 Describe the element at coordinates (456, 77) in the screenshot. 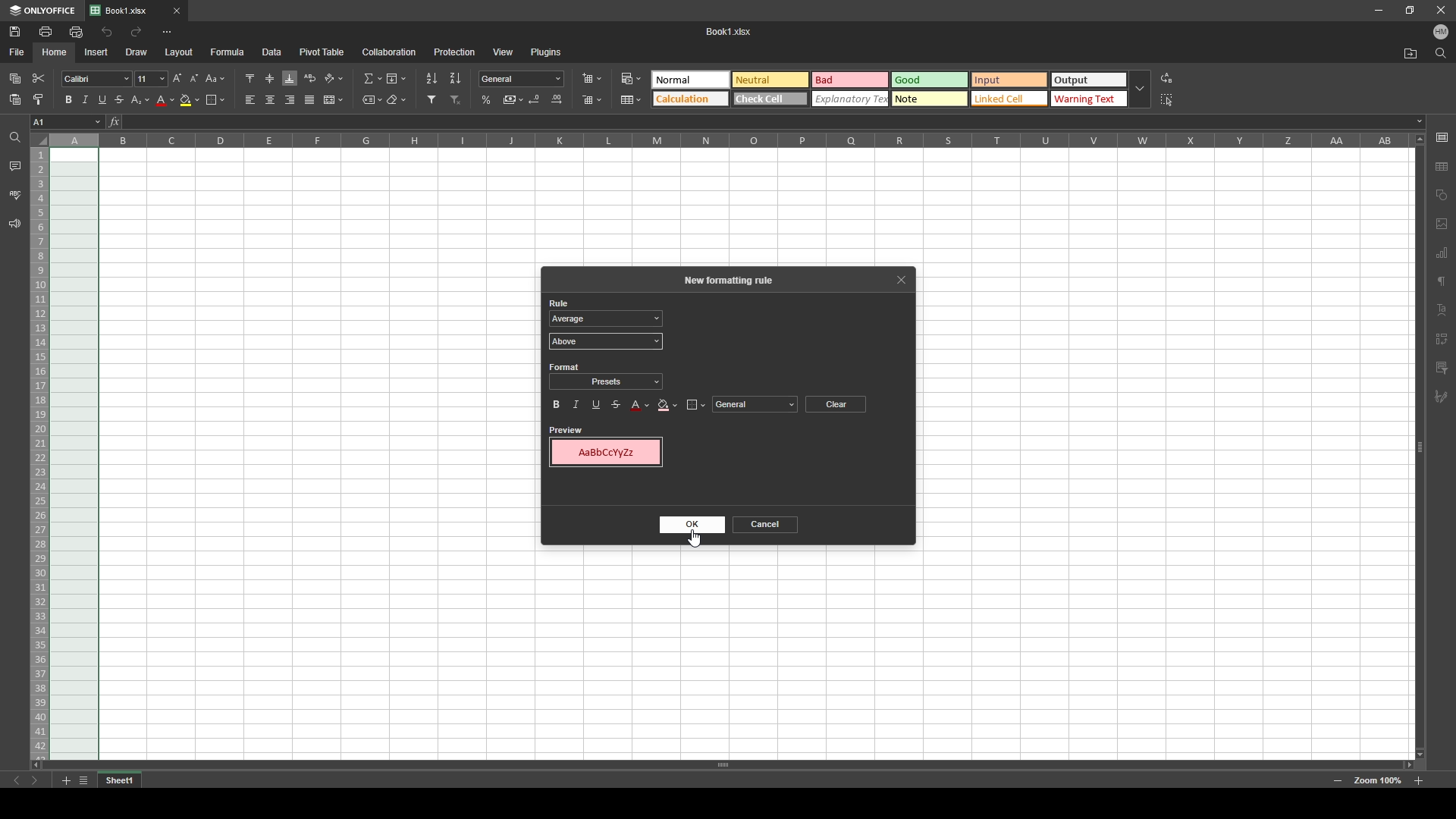

I see `sort descending` at that location.